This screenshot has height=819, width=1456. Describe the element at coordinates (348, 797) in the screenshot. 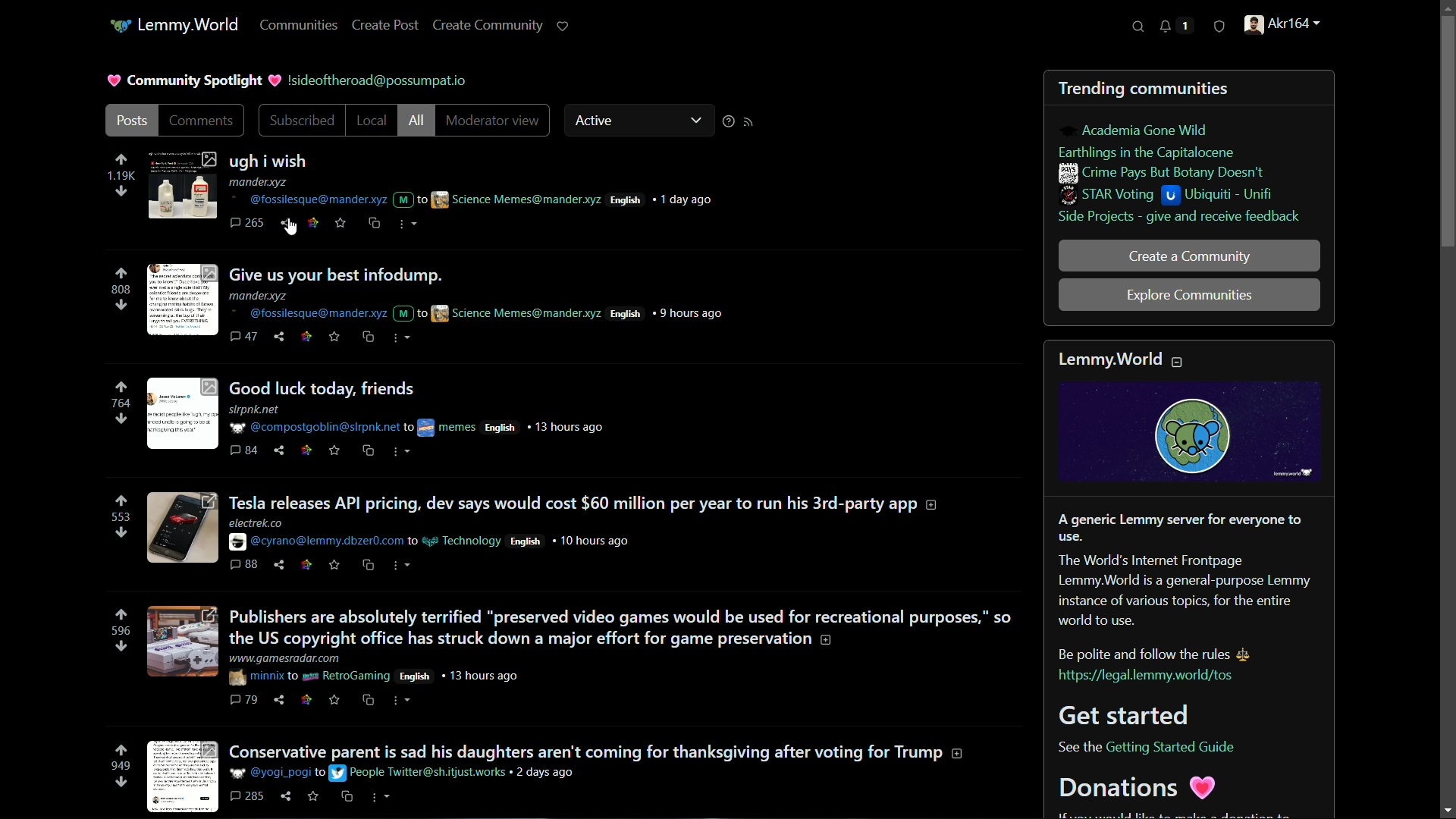

I see `cross psot` at that location.